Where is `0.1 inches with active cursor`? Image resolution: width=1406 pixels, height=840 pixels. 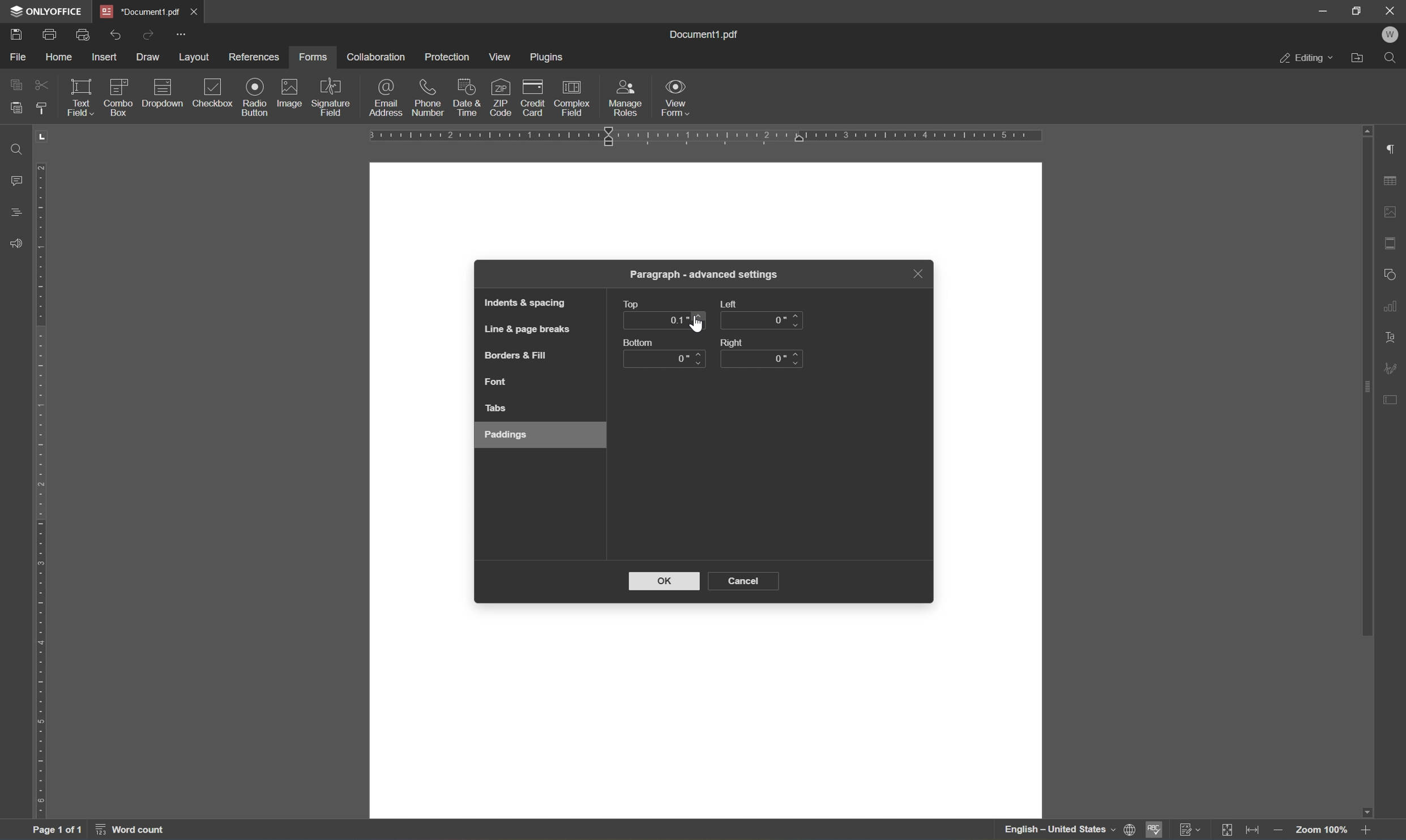
0.1 inches with active cursor is located at coordinates (685, 318).